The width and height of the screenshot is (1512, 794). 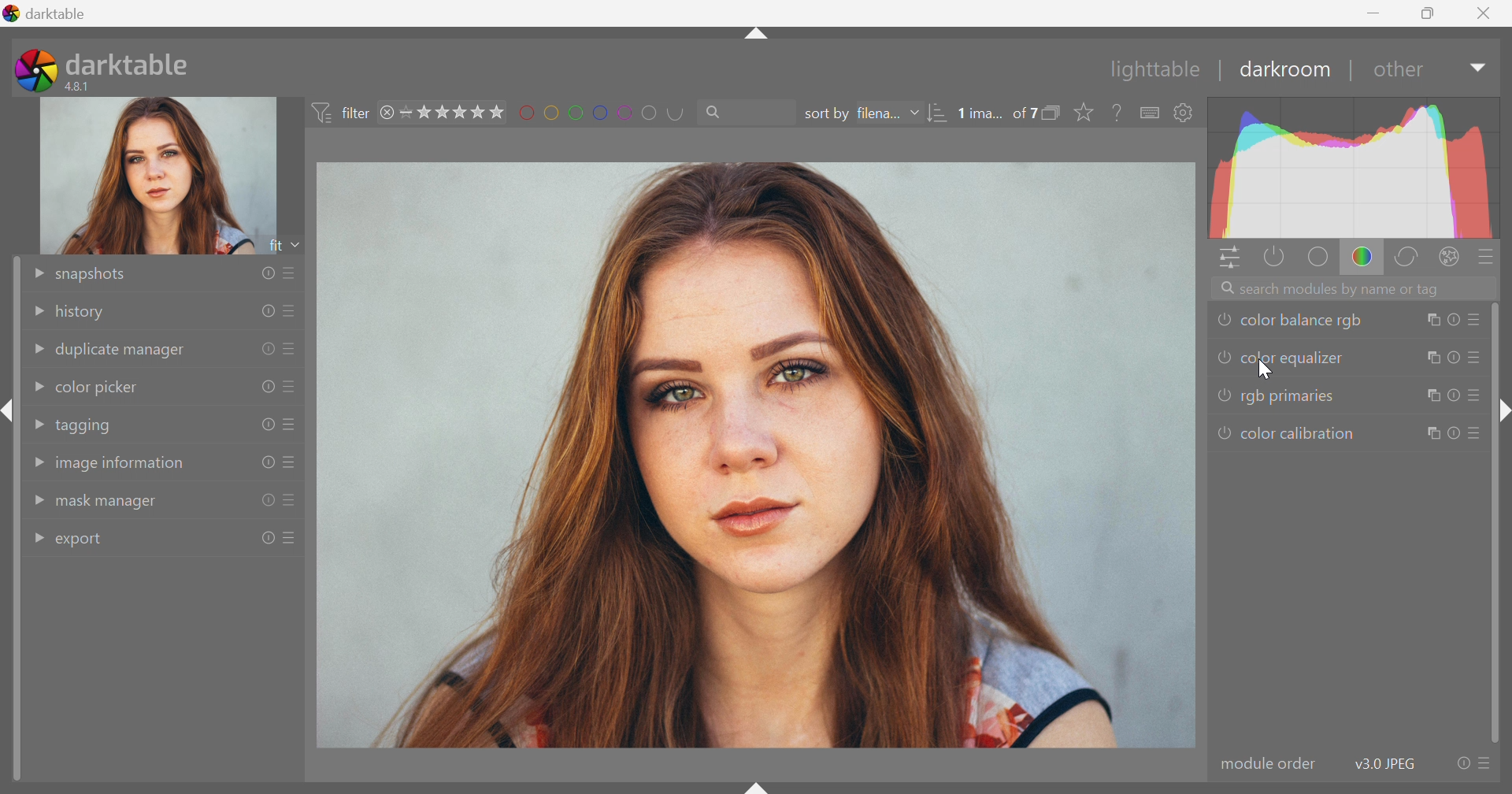 I want to click on Drop Down, so click(x=1476, y=69).